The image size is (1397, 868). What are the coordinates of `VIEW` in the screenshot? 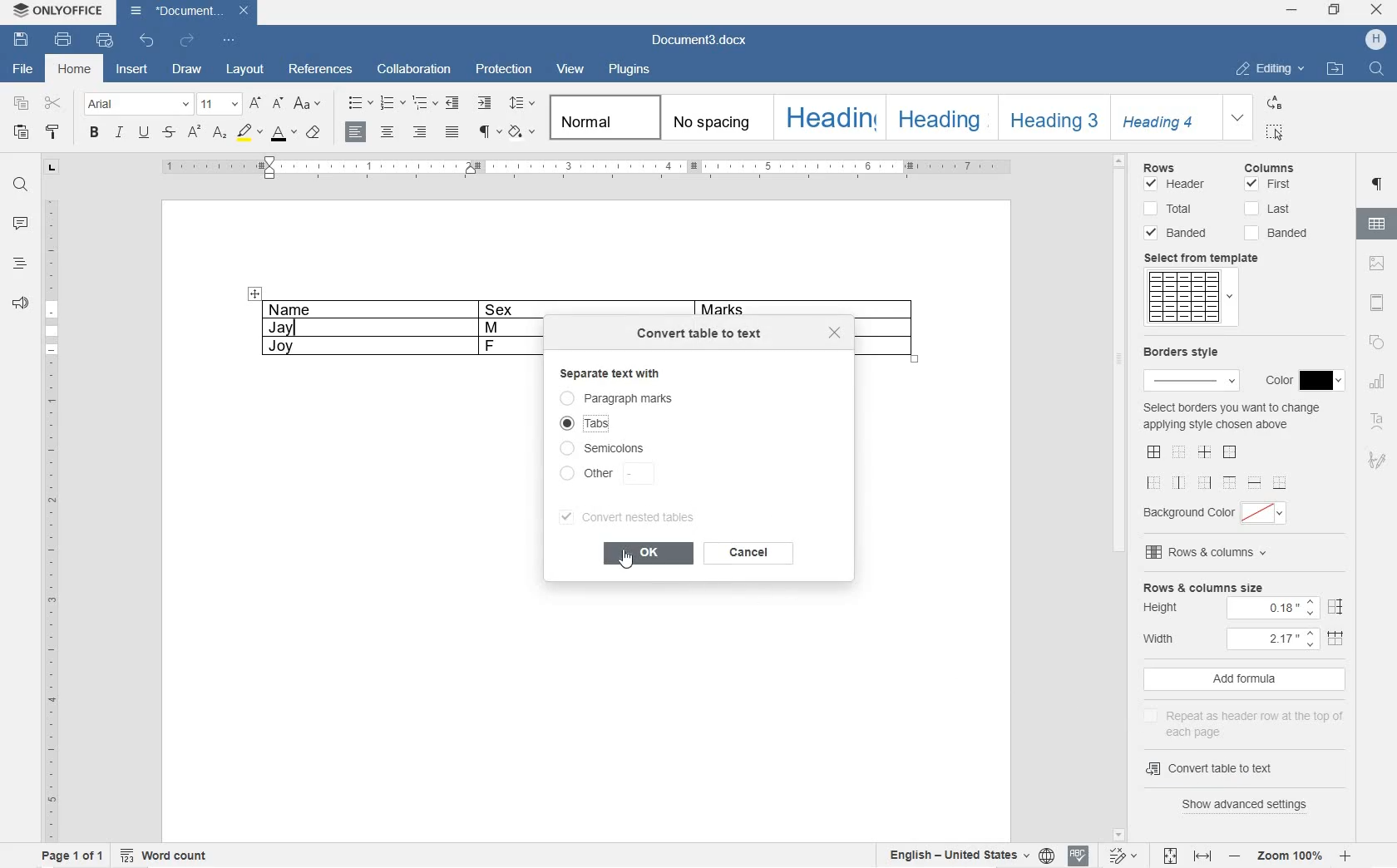 It's located at (570, 72).